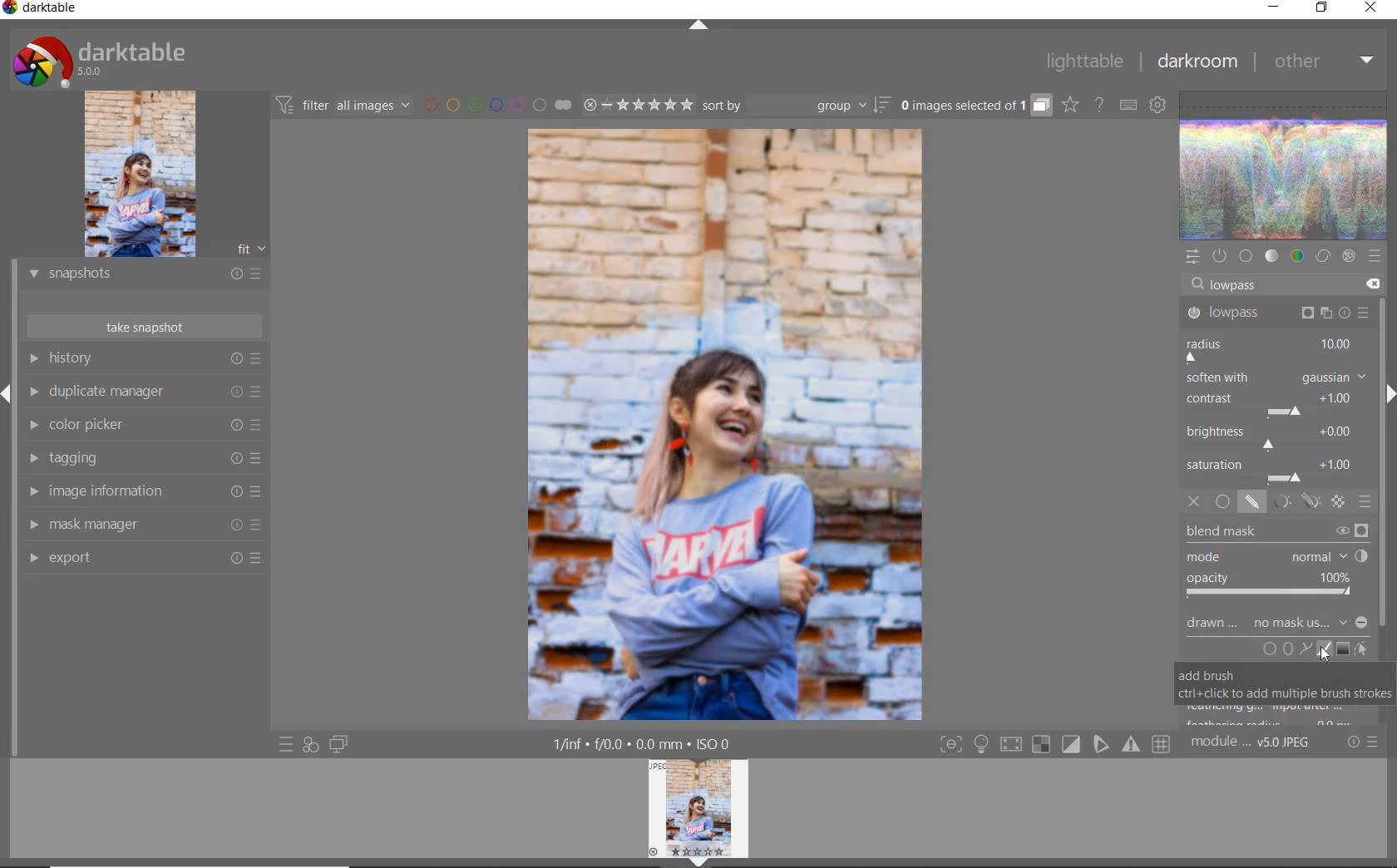 The width and height of the screenshot is (1397, 868). Describe the element at coordinates (638, 104) in the screenshot. I see `range ratings for selected images` at that location.